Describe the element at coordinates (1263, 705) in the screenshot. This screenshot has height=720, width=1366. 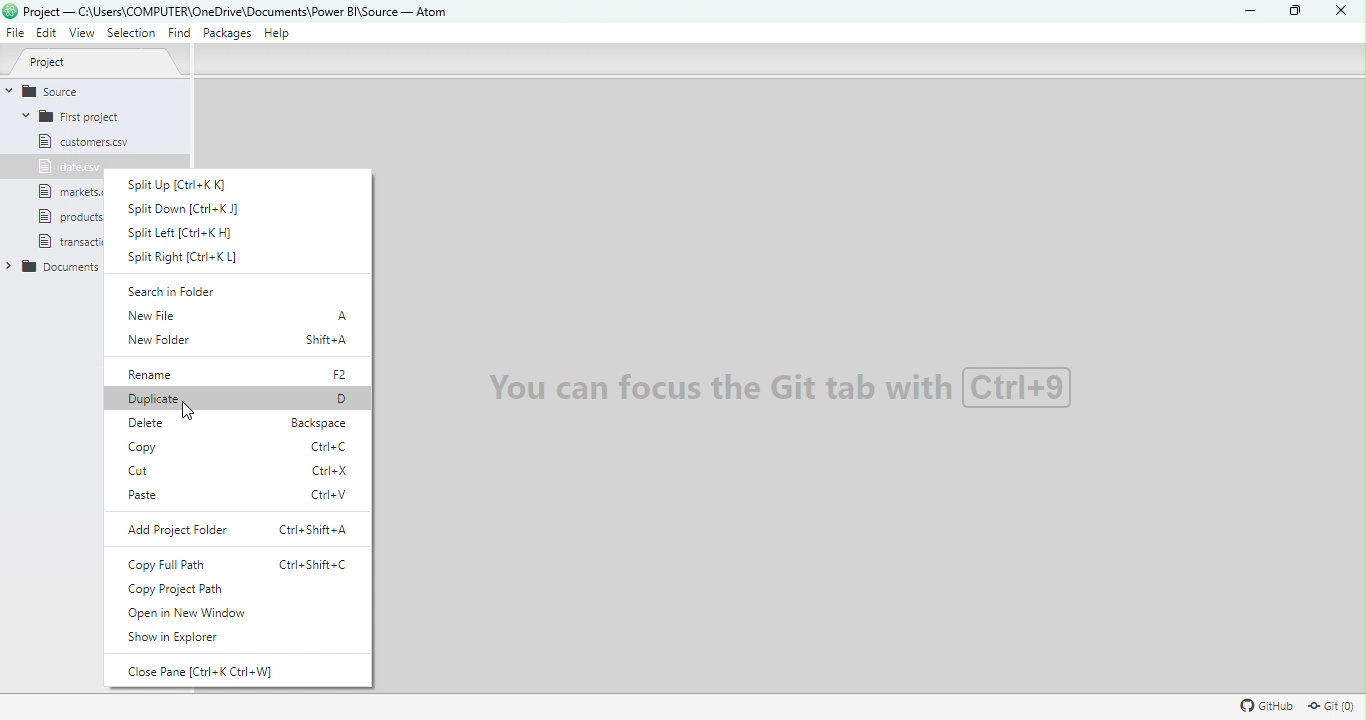
I see `Github` at that location.